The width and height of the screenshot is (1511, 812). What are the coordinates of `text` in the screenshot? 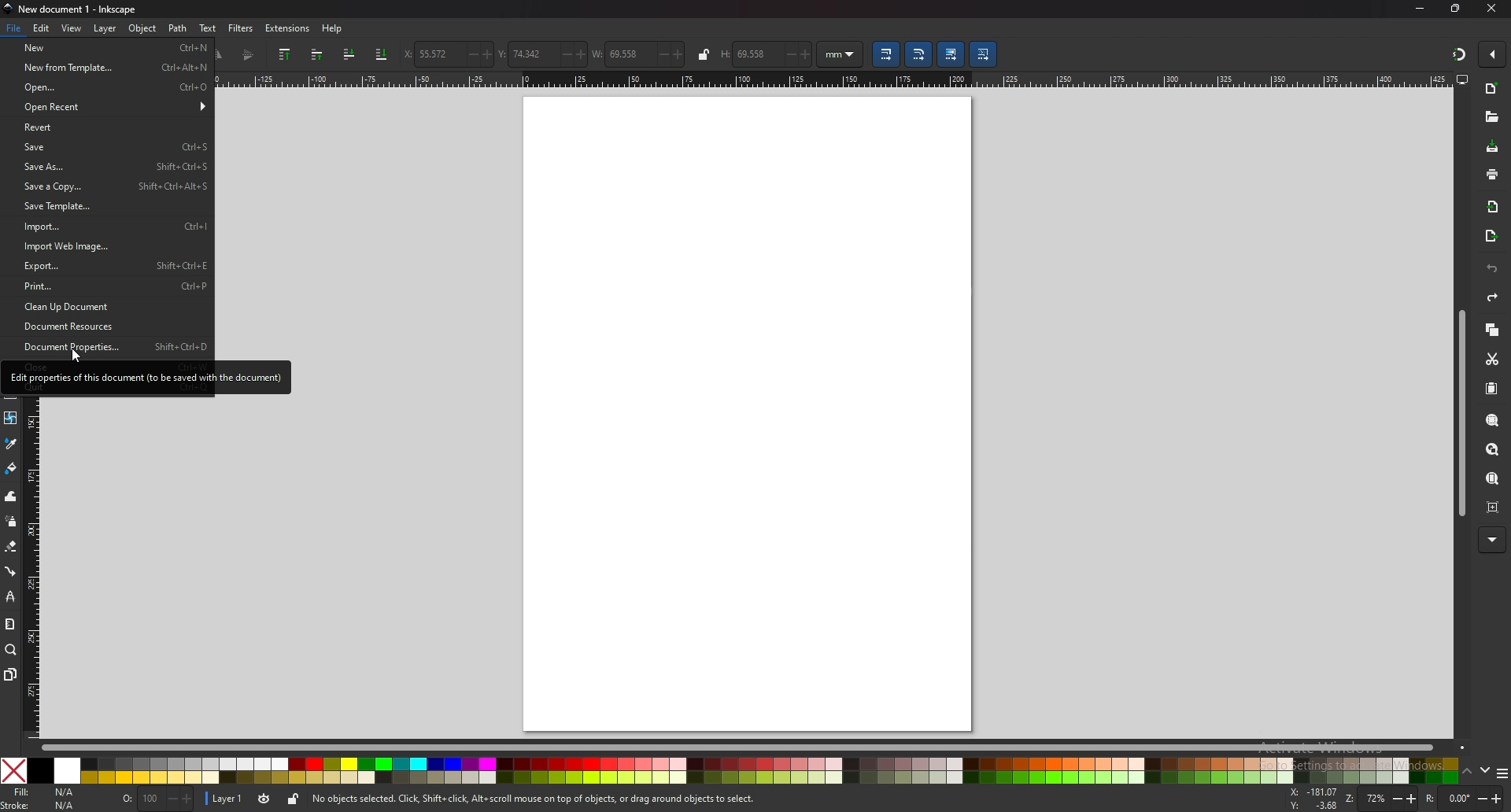 It's located at (206, 28).